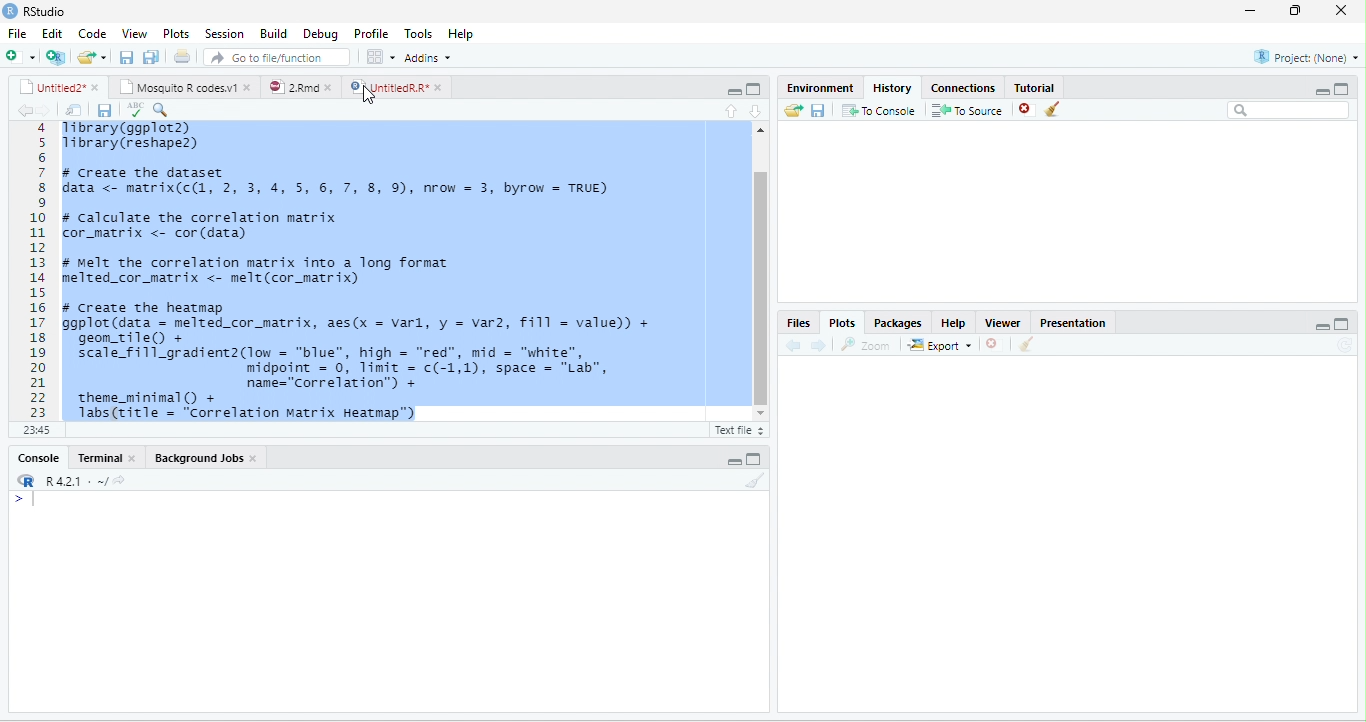 The height and width of the screenshot is (722, 1366). I want to click on source on save, so click(169, 109).